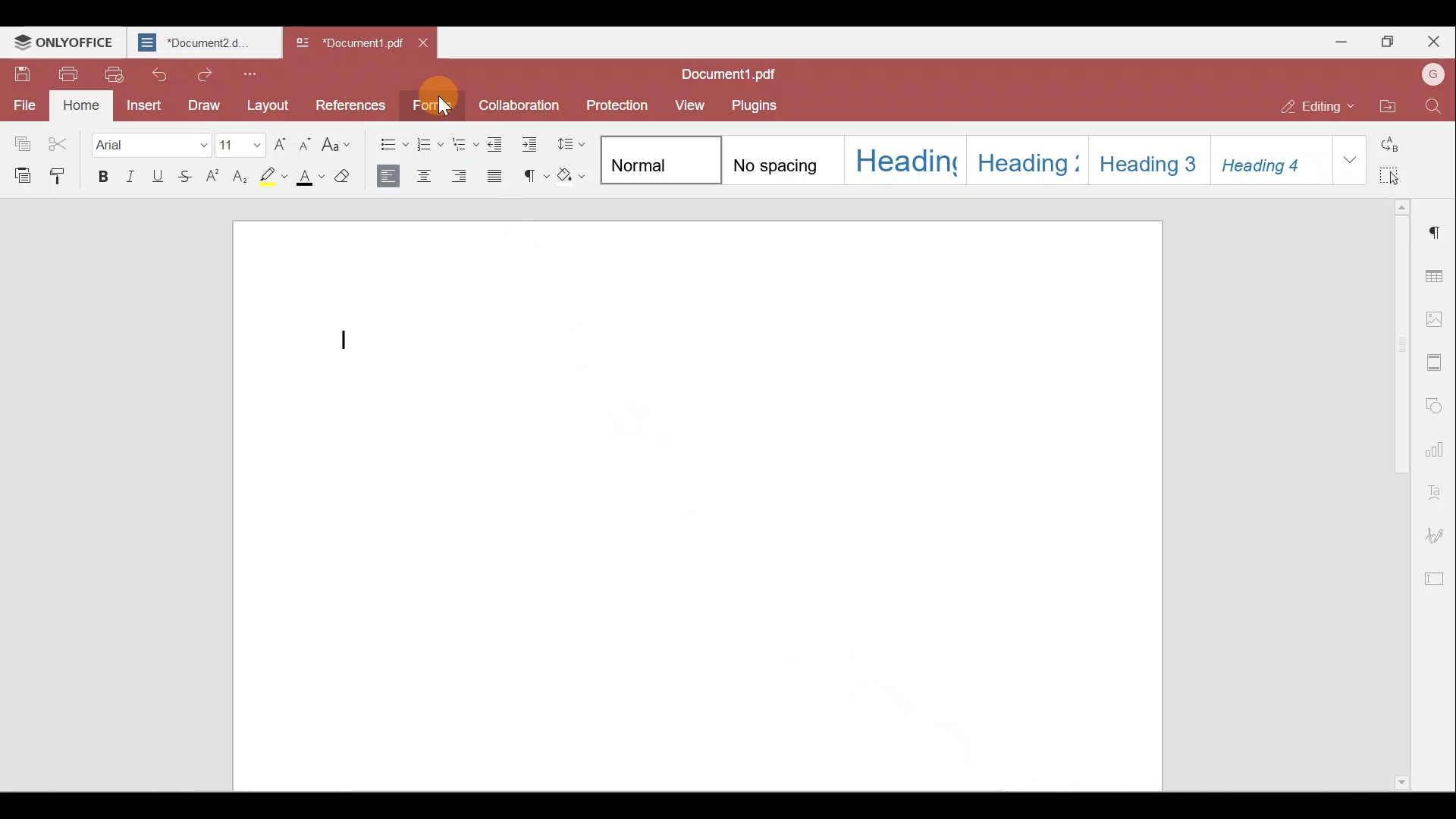  I want to click on Replace, so click(1400, 140).